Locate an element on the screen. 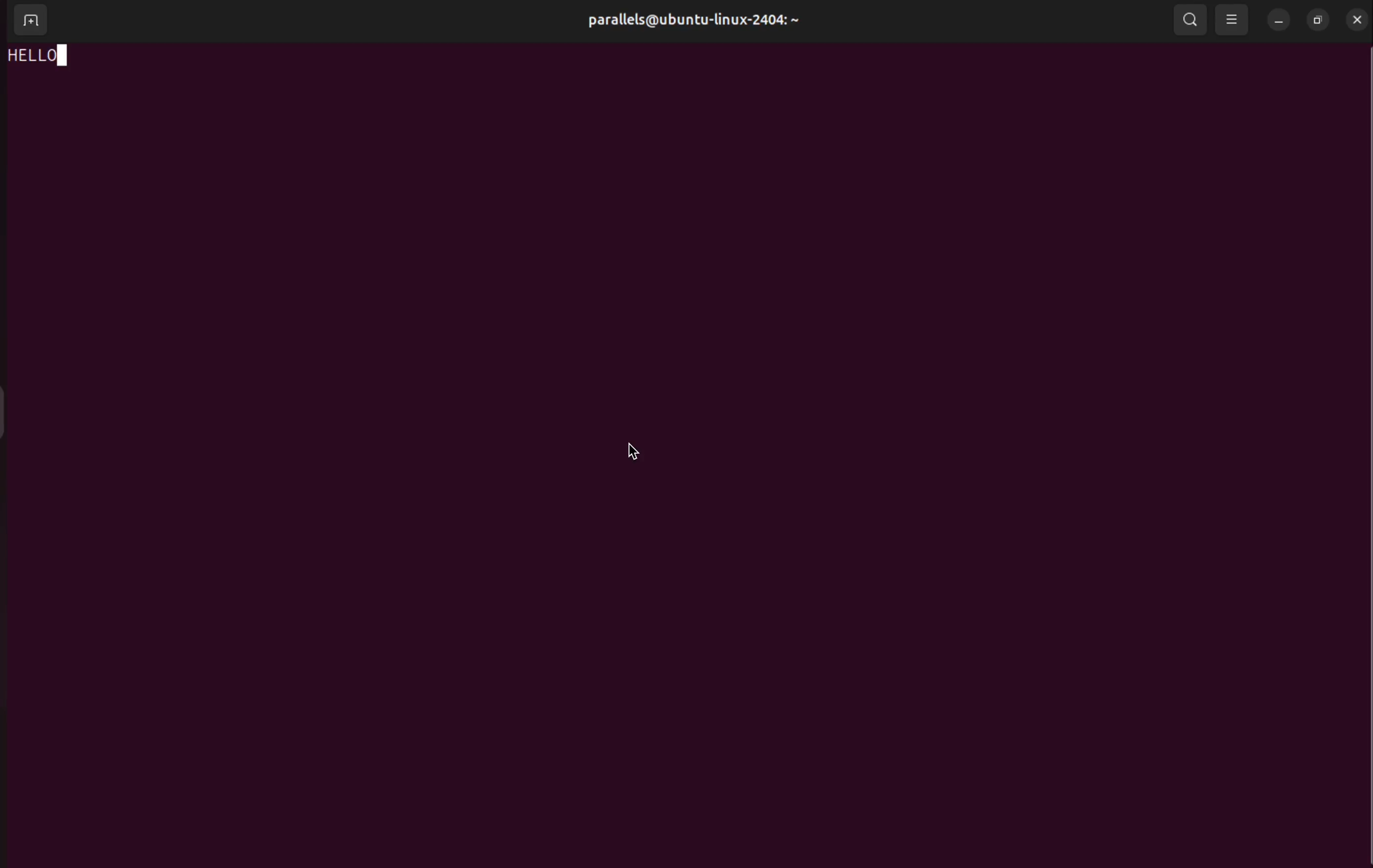 The width and height of the screenshot is (1373, 868). search is located at coordinates (1187, 20).